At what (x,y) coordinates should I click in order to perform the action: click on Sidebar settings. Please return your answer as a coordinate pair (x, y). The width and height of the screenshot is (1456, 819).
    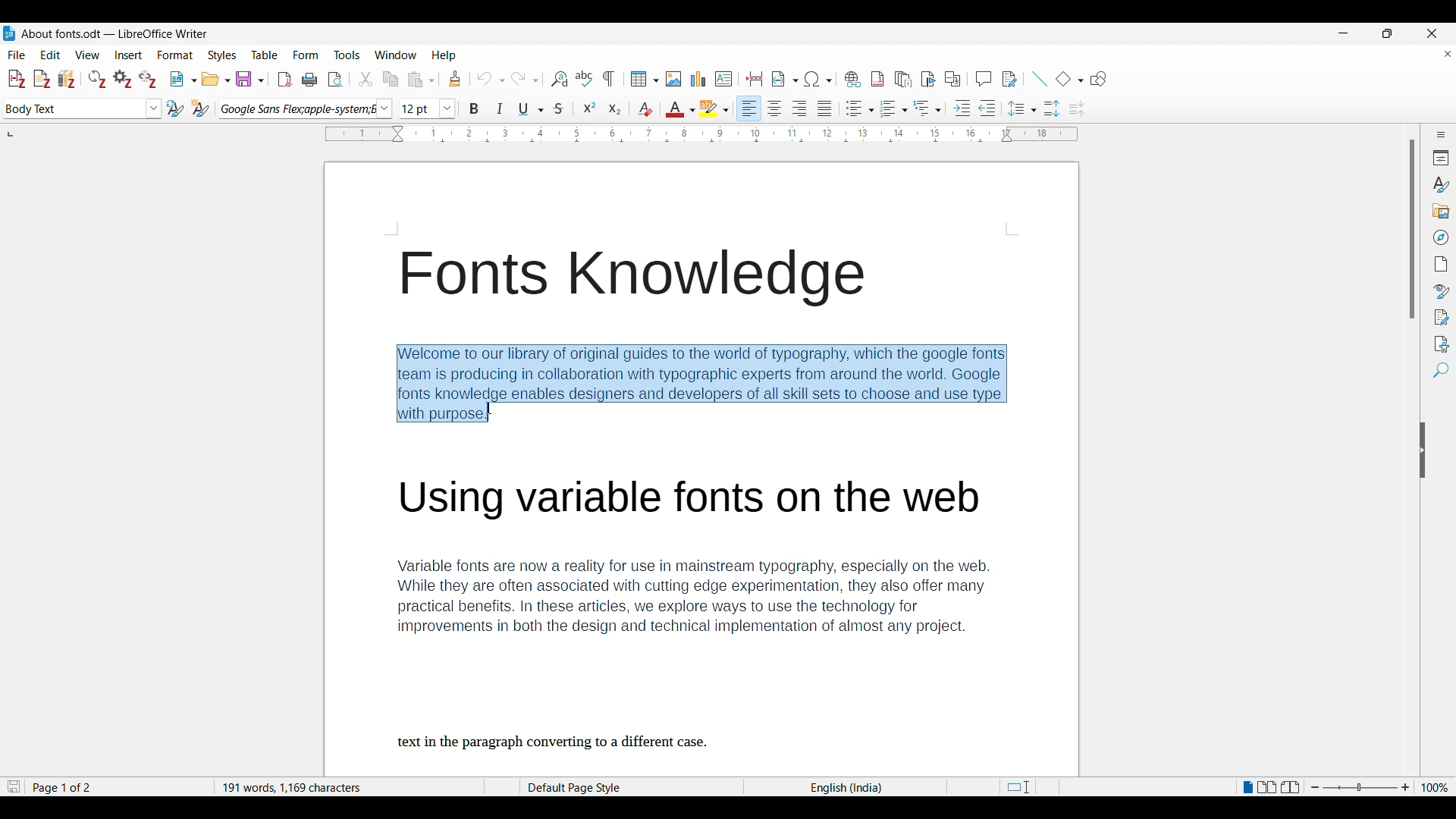
    Looking at the image, I should click on (1441, 134).